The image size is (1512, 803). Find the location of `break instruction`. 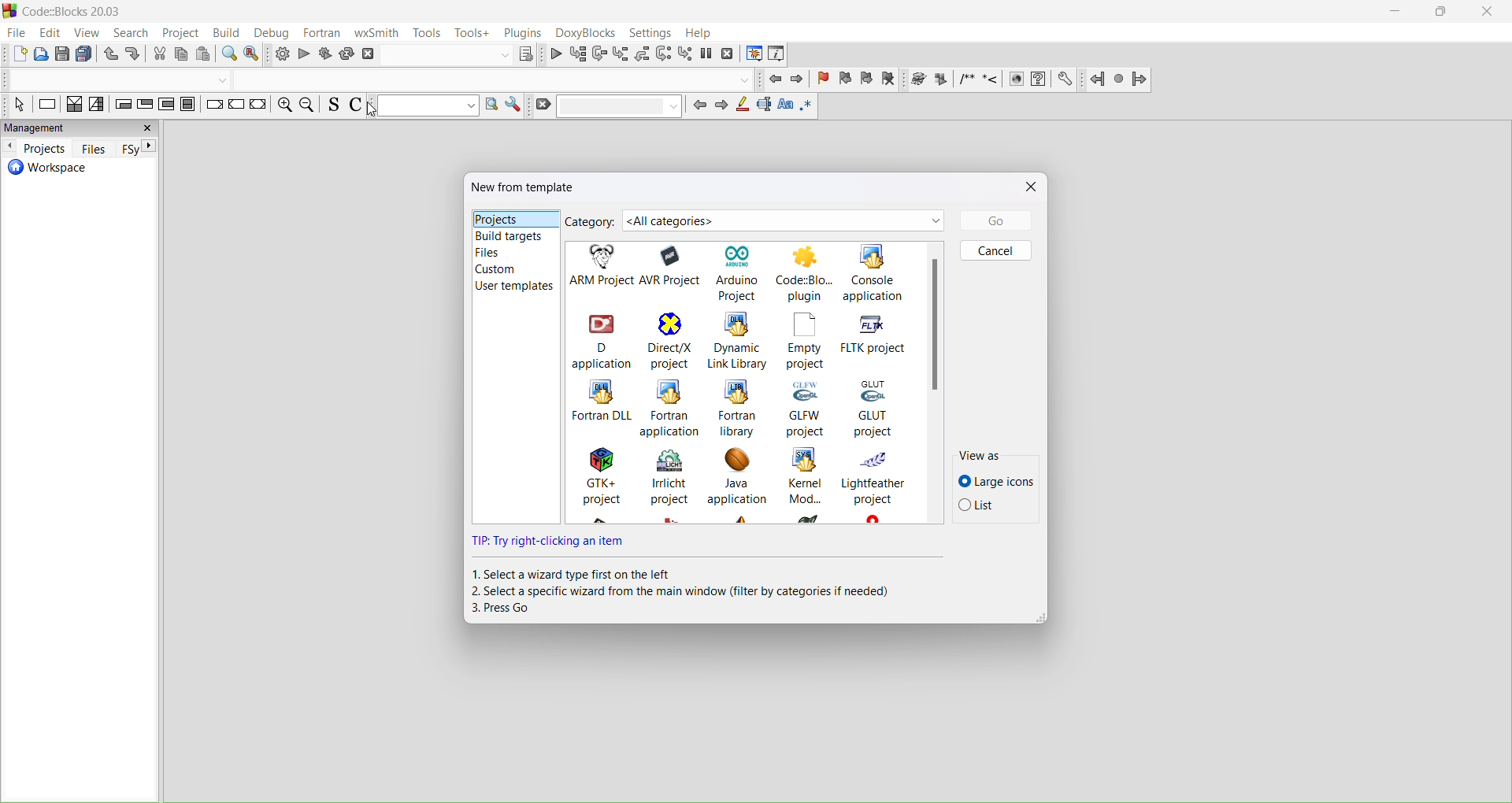

break instruction is located at coordinates (213, 109).